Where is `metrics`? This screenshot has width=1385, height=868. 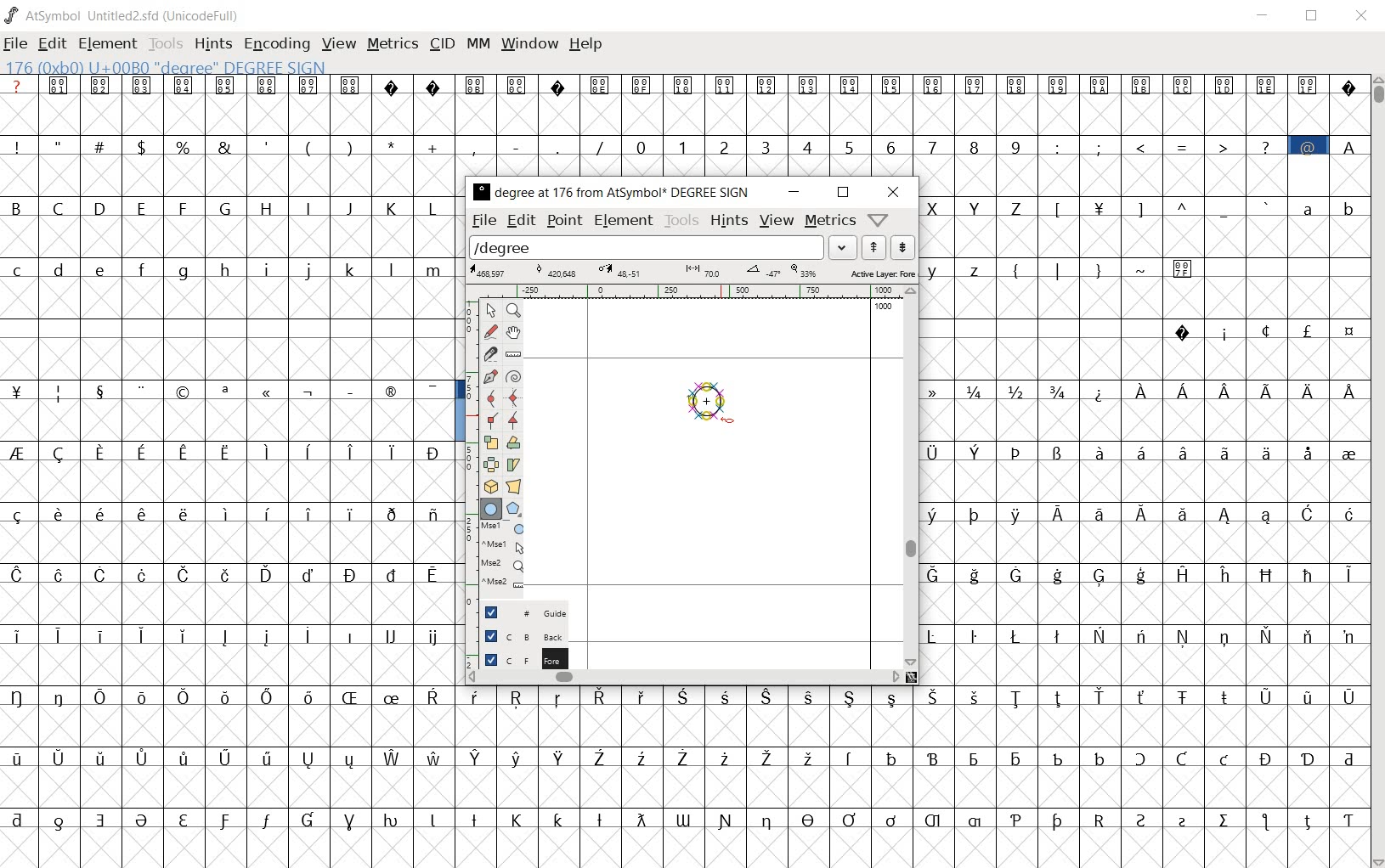
metrics is located at coordinates (829, 222).